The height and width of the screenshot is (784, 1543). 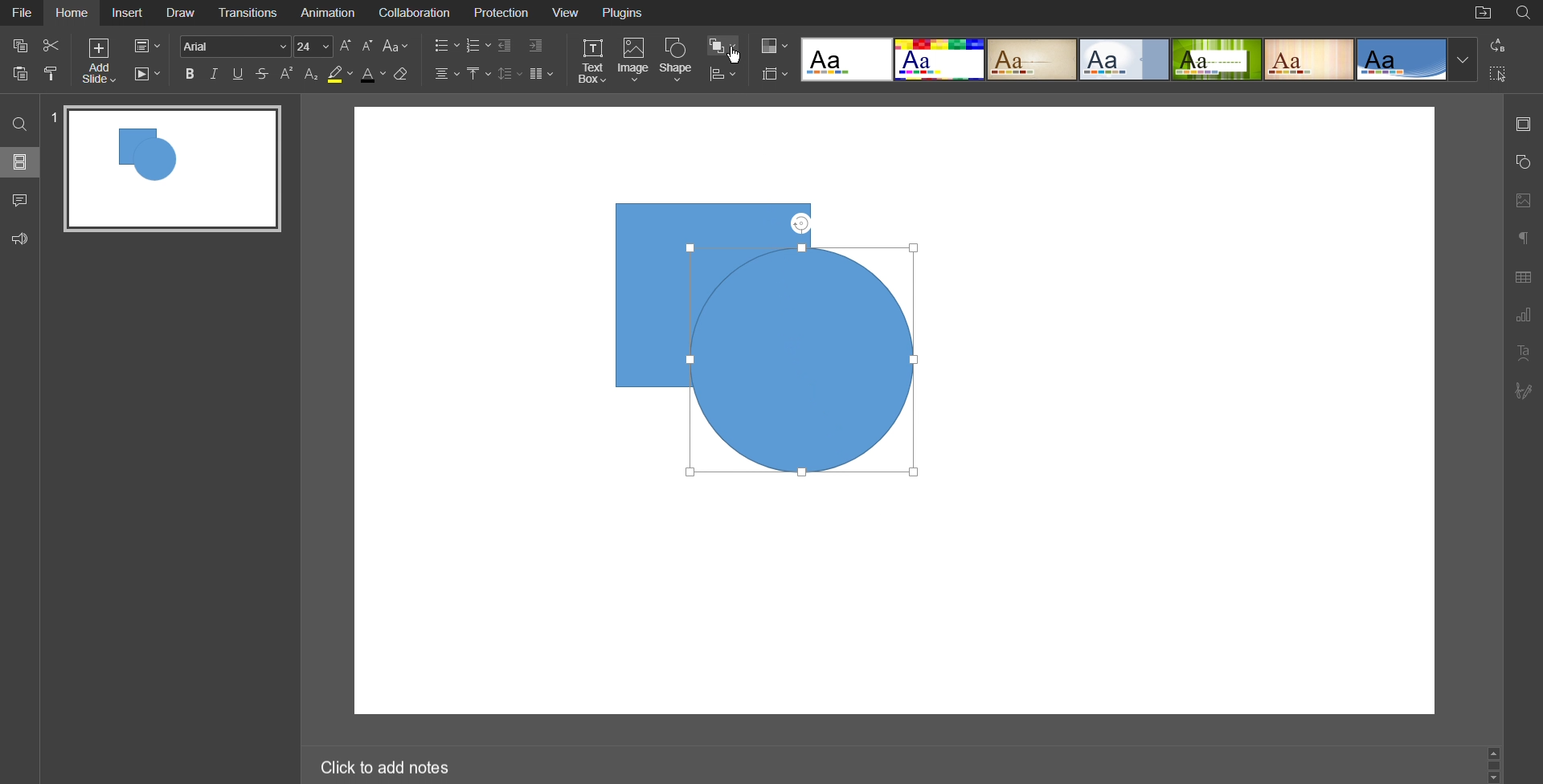 What do you see at coordinates (722, 44) in the screenshot?
I see `Arrange` at bounding box center [722, 44].